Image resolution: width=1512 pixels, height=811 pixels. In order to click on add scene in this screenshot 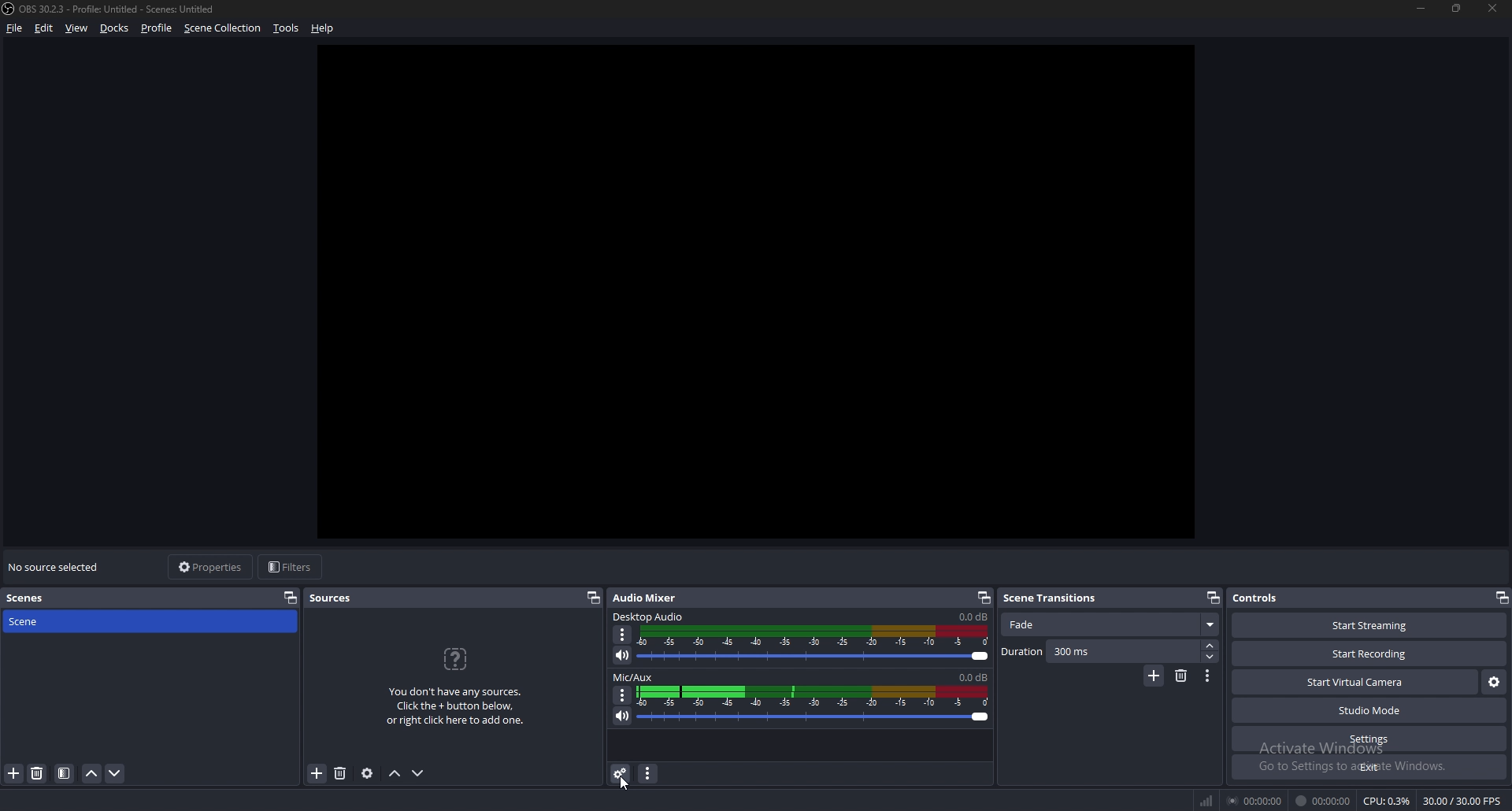, I will do `click(14, 774)`.